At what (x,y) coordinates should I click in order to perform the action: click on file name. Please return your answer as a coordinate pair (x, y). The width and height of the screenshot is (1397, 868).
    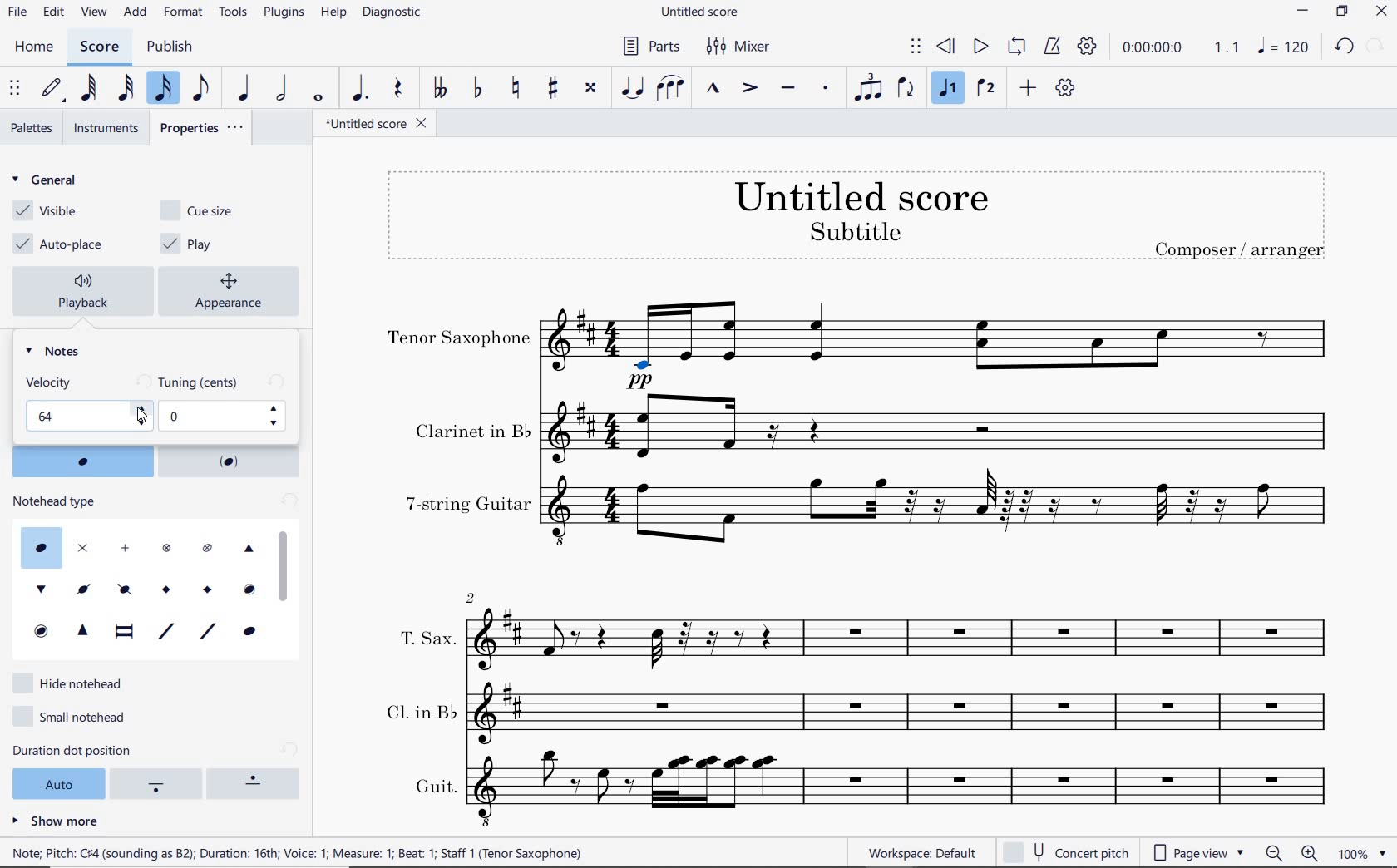
    Looking at the image, I should click on (378, 124).